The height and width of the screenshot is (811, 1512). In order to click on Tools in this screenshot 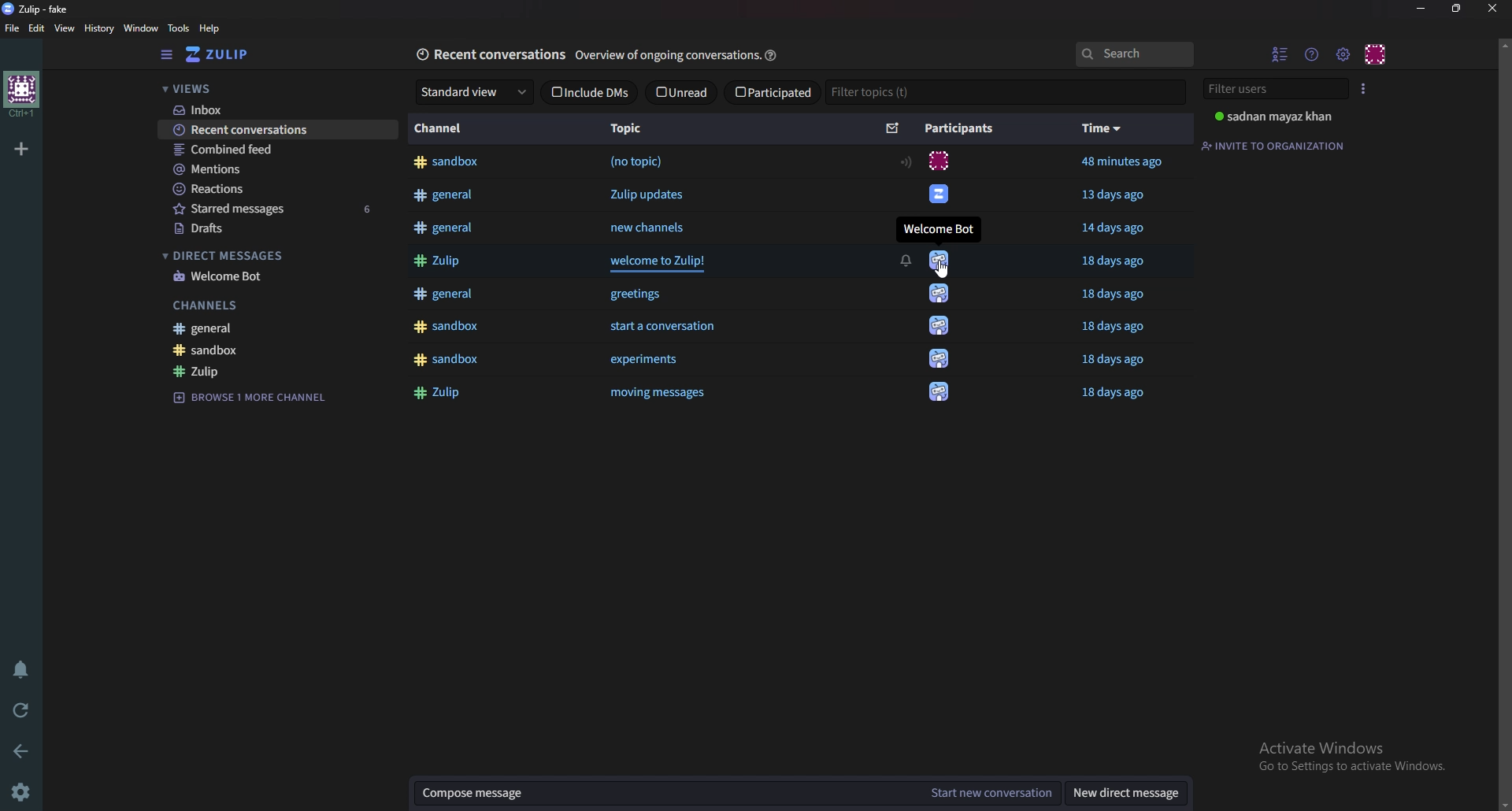, I will do `click(179, 28)`.